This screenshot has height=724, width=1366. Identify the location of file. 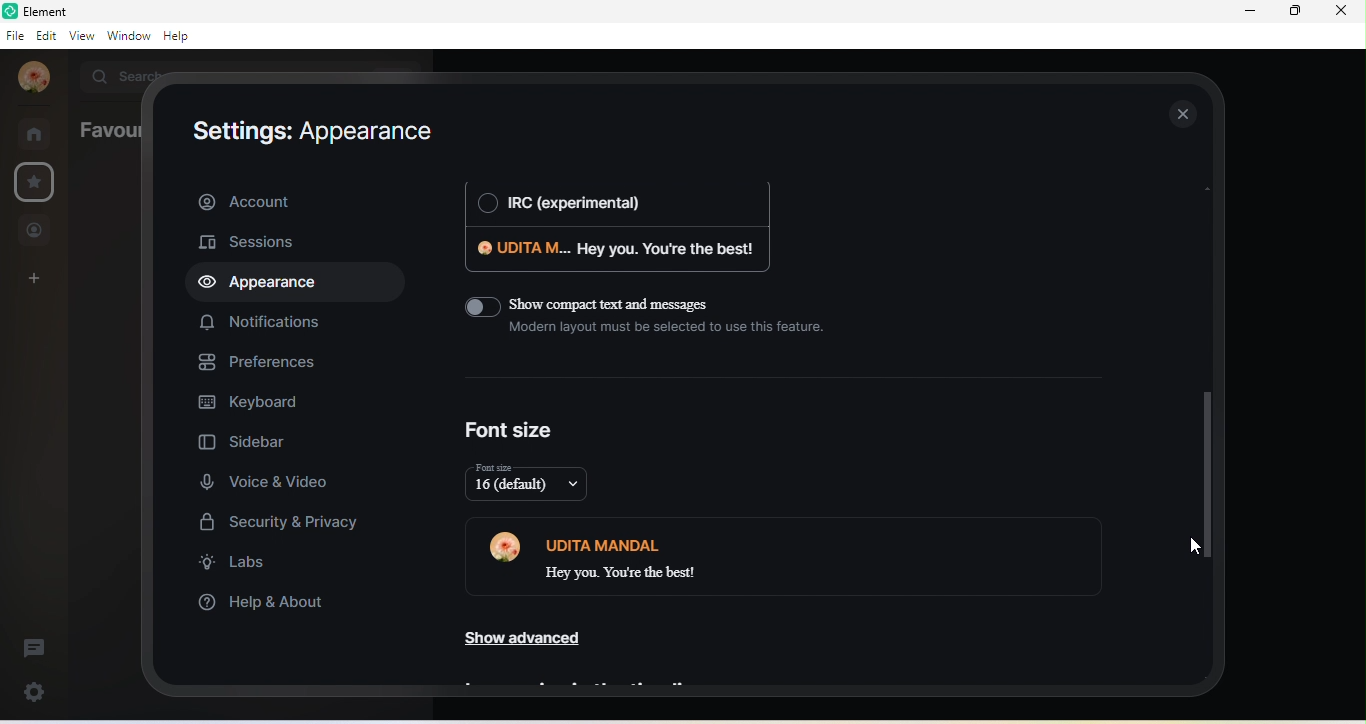
(13, 39).